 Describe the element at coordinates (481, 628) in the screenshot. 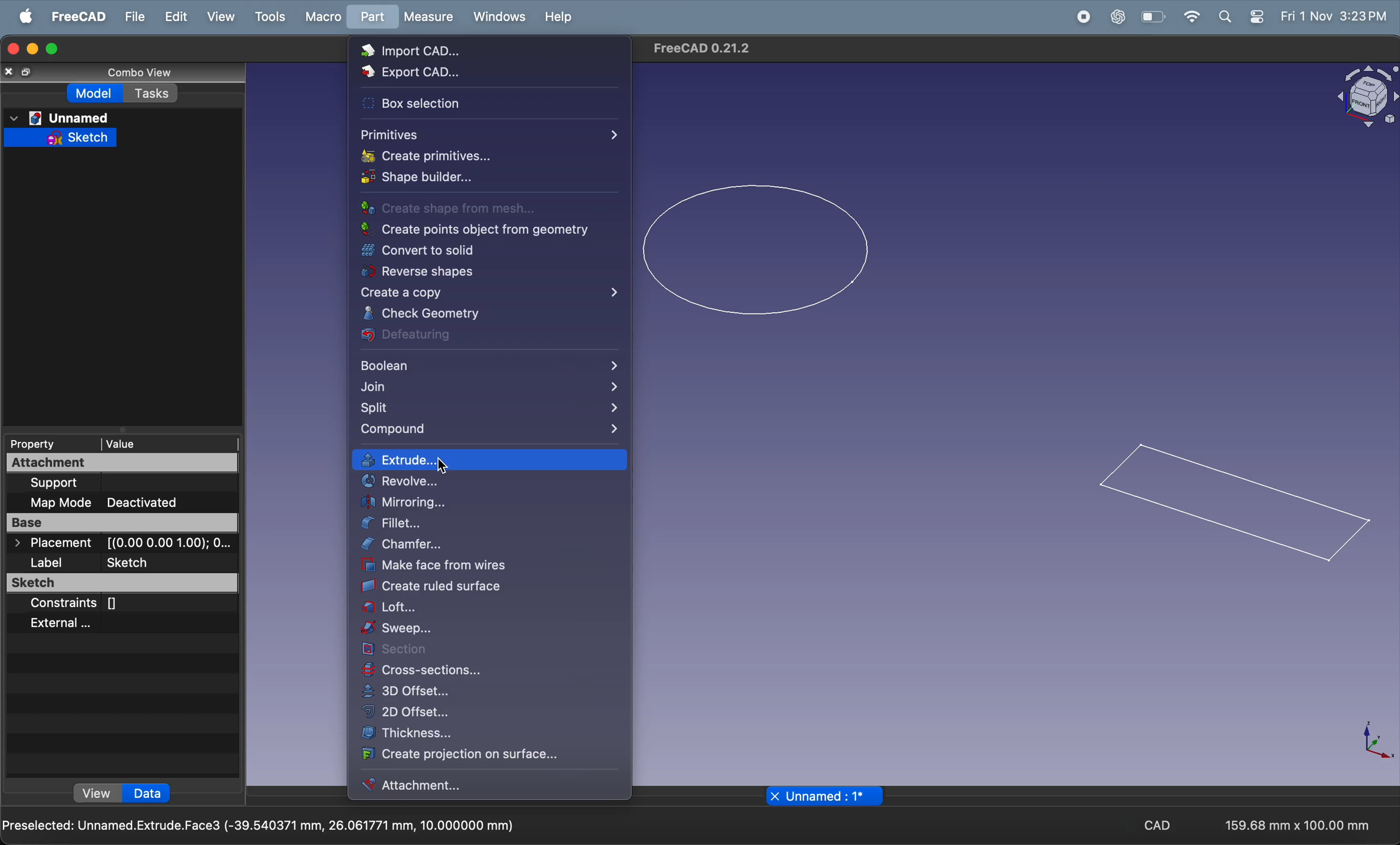

I see `Sweep...` at that location.